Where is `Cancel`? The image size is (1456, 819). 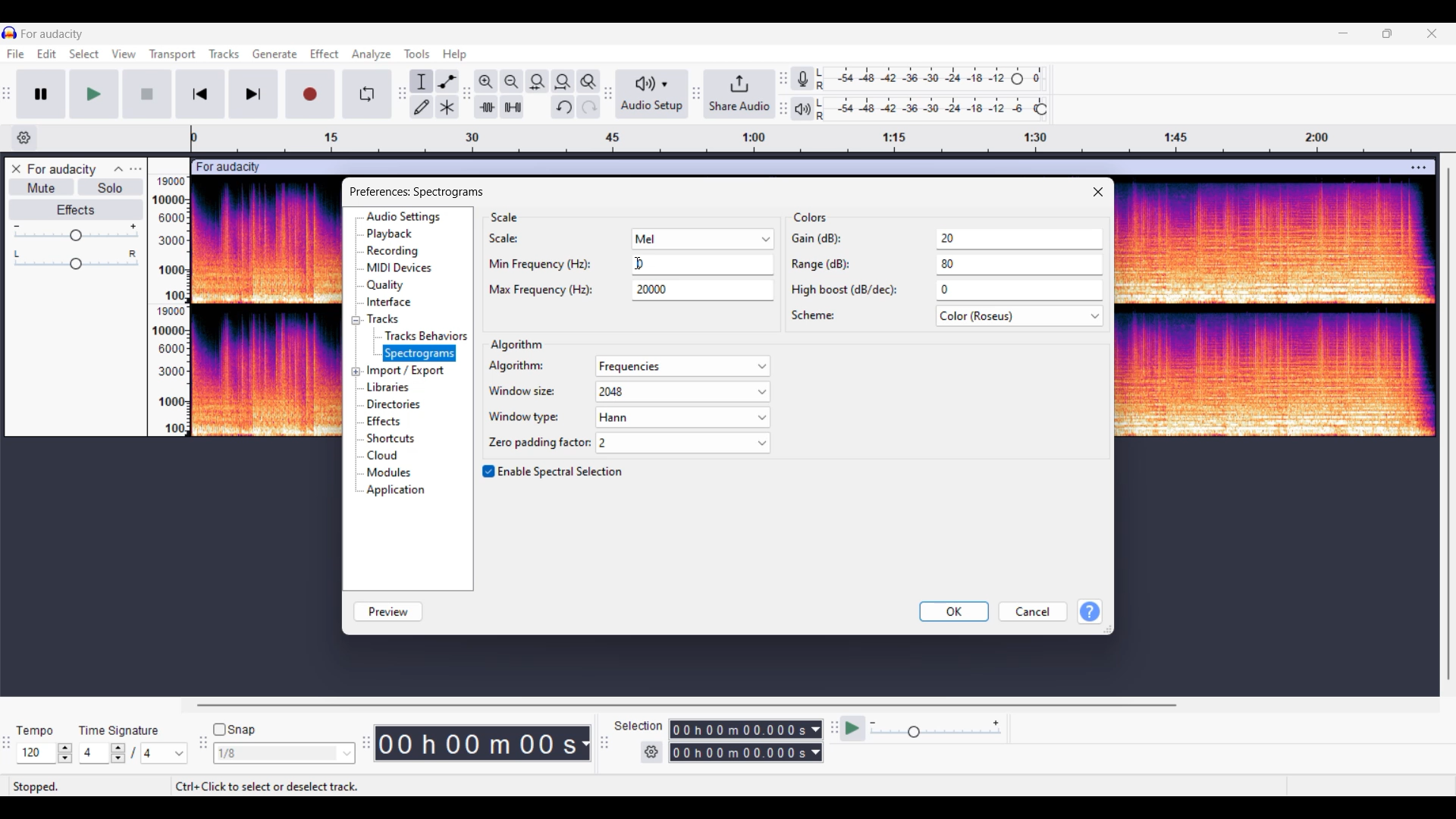
Cancel is located at coordinates (1034, 611).